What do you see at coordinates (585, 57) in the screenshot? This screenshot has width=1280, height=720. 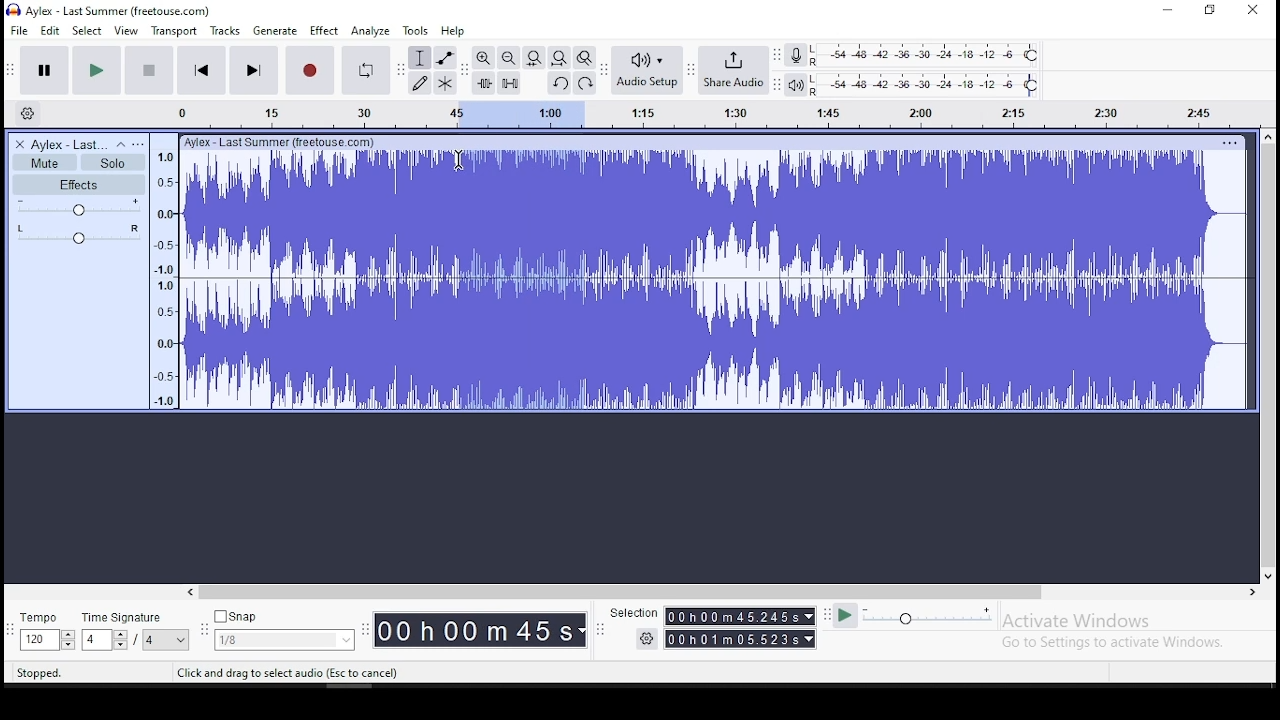 I see `zoom toggle` at bounding box center [585, 57].